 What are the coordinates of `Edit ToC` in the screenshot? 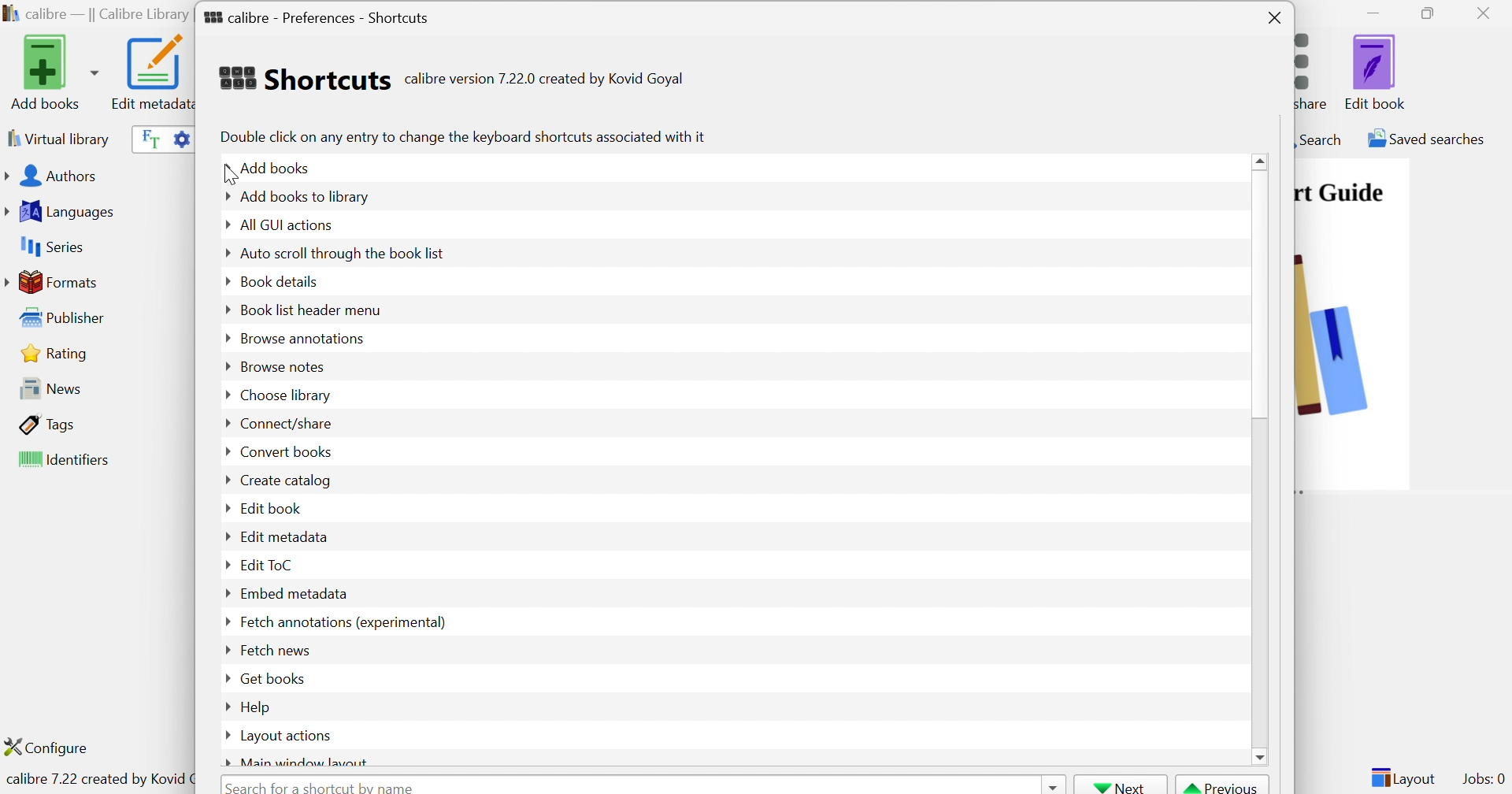 It's located at (269, 564).